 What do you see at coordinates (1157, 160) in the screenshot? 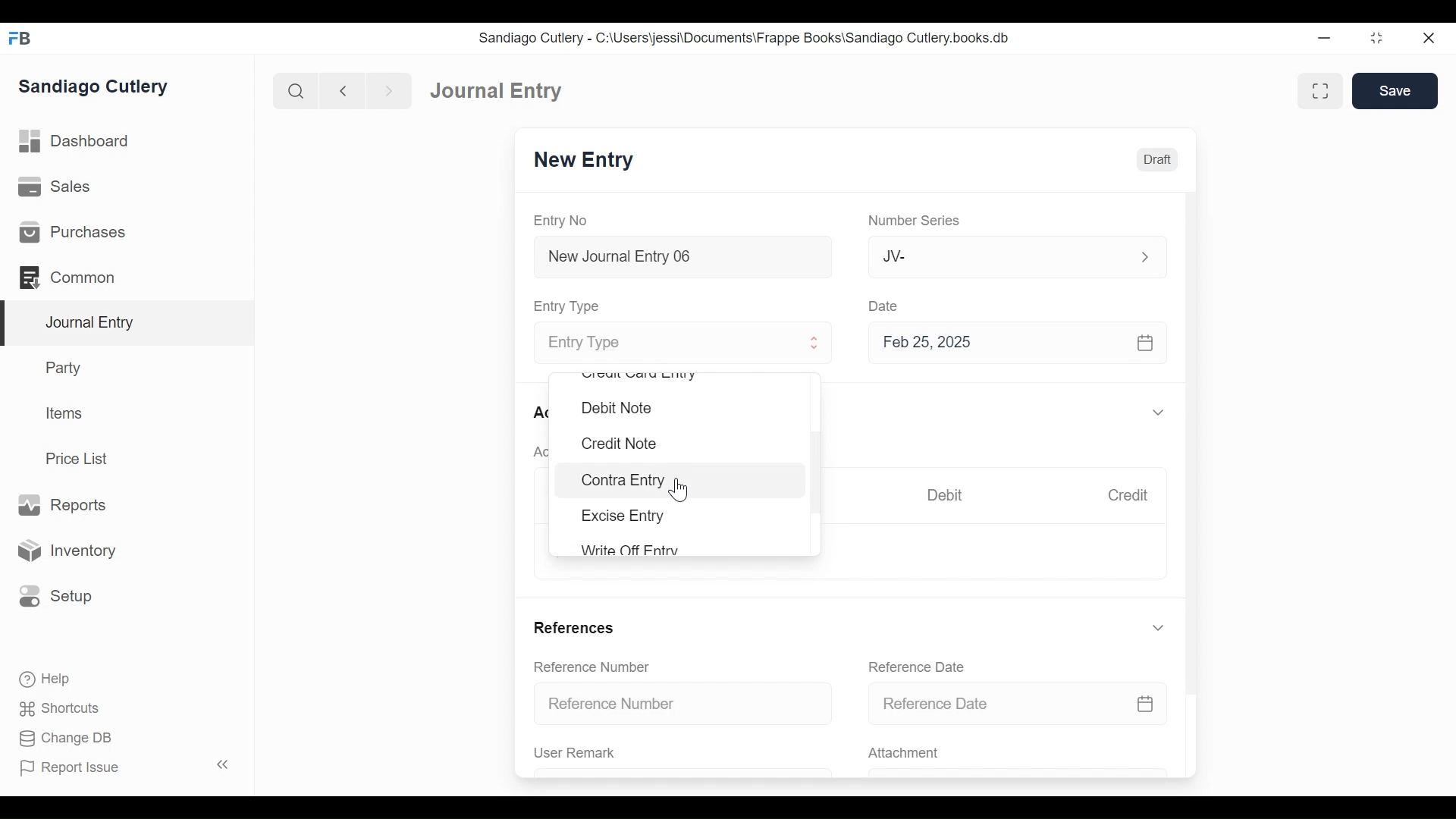
I see `Draft` at bounding box center [1157, 160].